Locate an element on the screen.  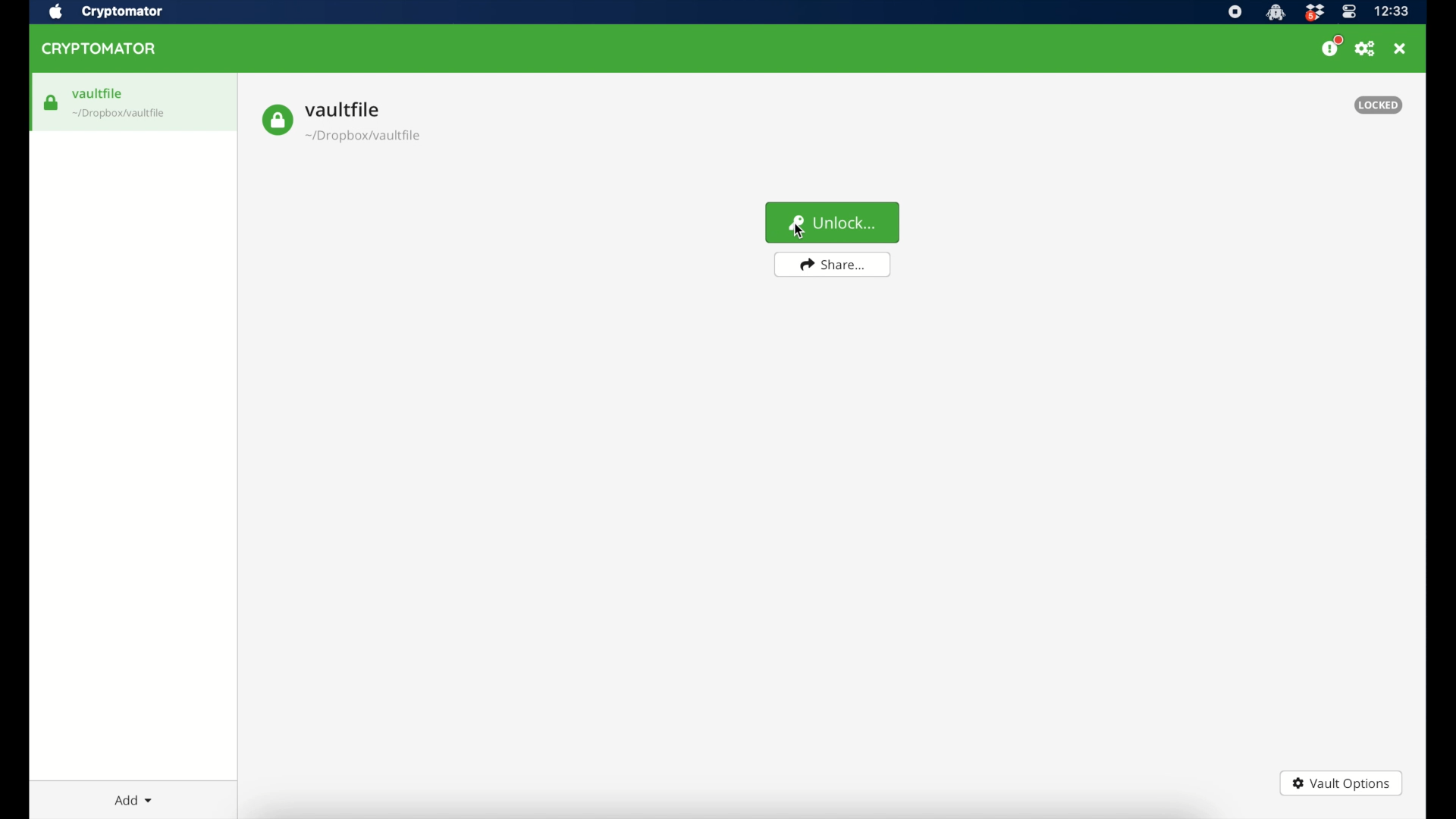
donate us is located at coordinates (1332, 46).